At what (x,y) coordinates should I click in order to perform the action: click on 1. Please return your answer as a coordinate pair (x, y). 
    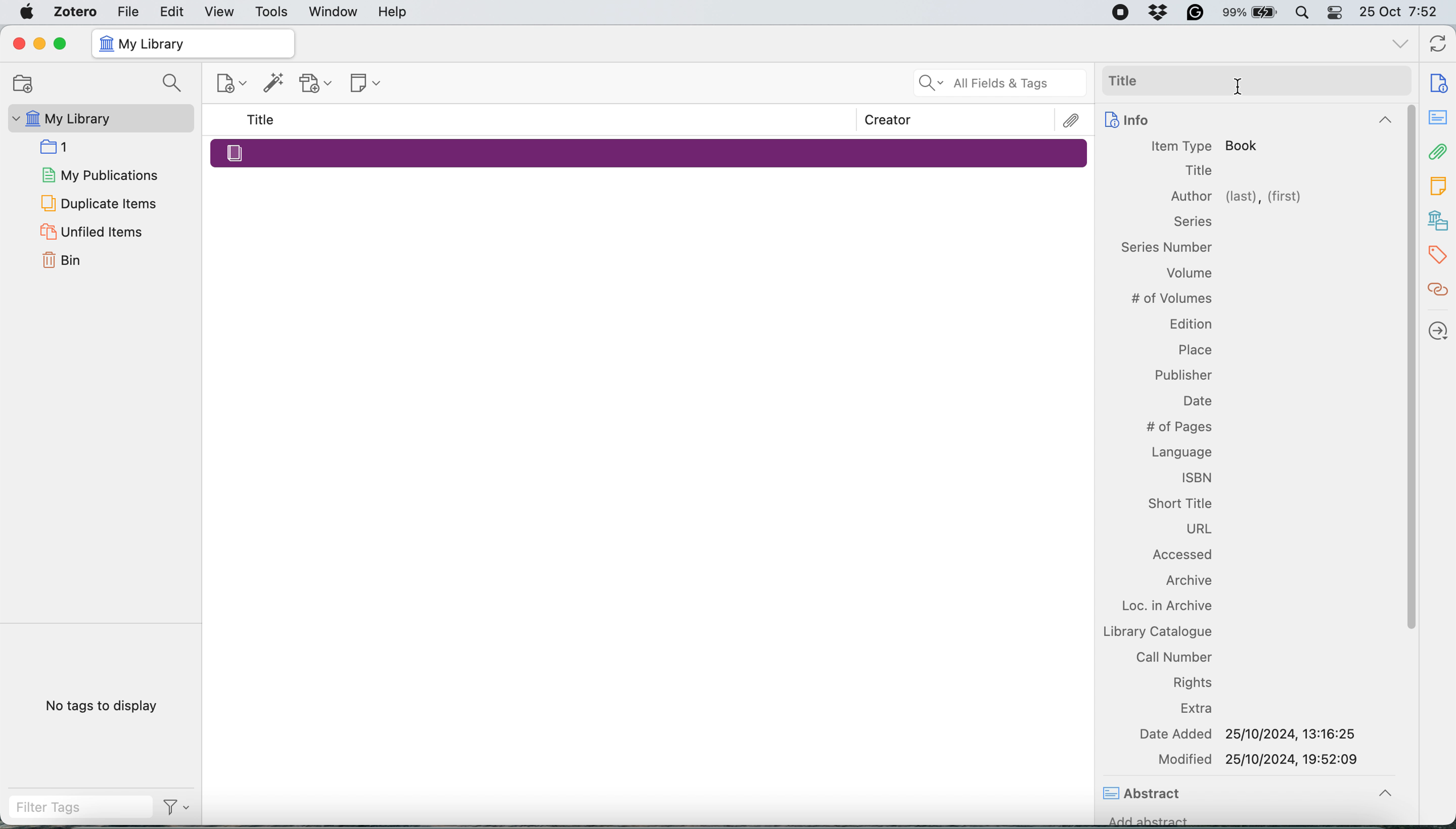
    Looking at the image, I should click on (59, 146).